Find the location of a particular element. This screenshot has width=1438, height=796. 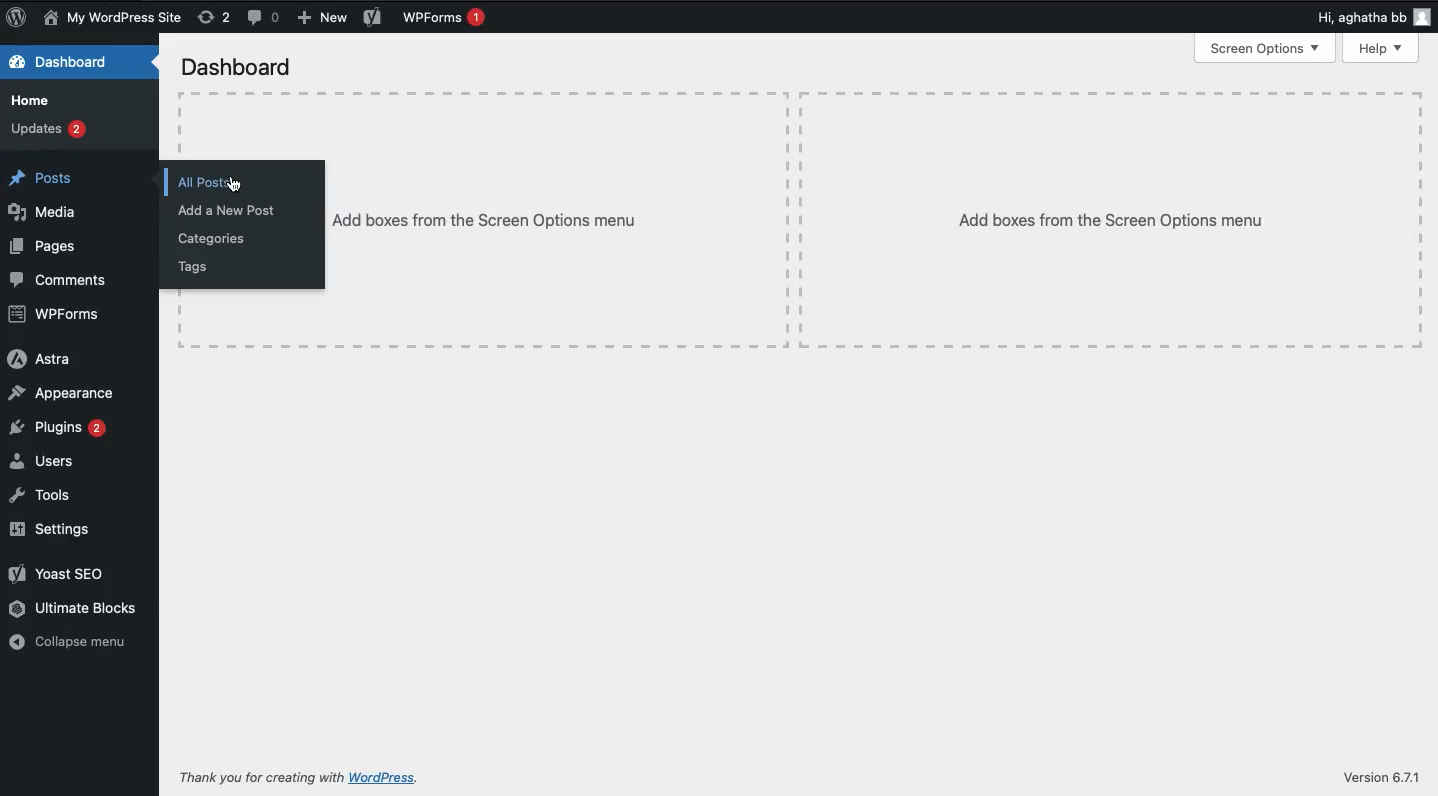

Categories is located at coordinates (211, 240).